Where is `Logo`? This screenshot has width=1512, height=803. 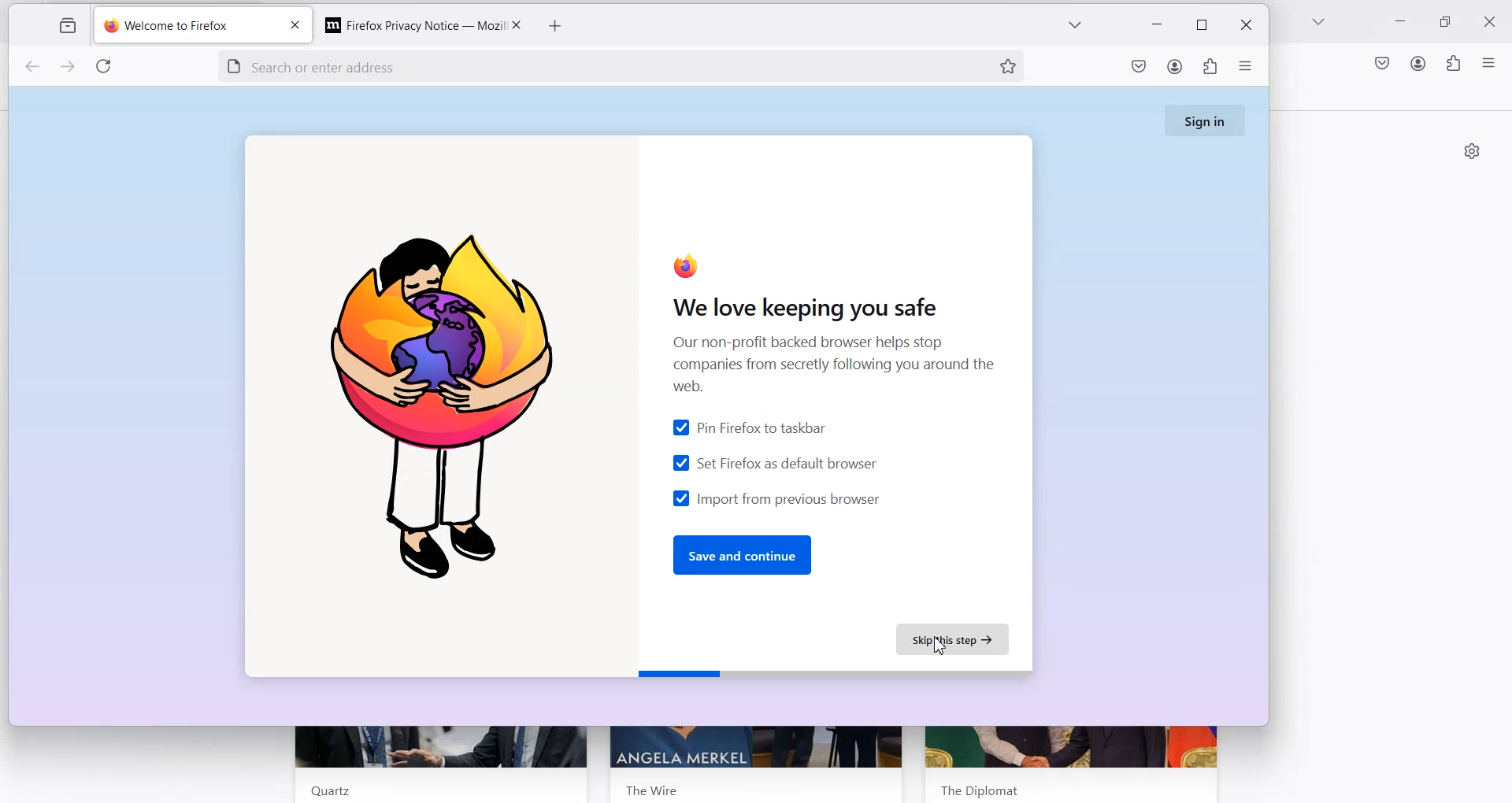
Logo is located at coordinates (447, 405).